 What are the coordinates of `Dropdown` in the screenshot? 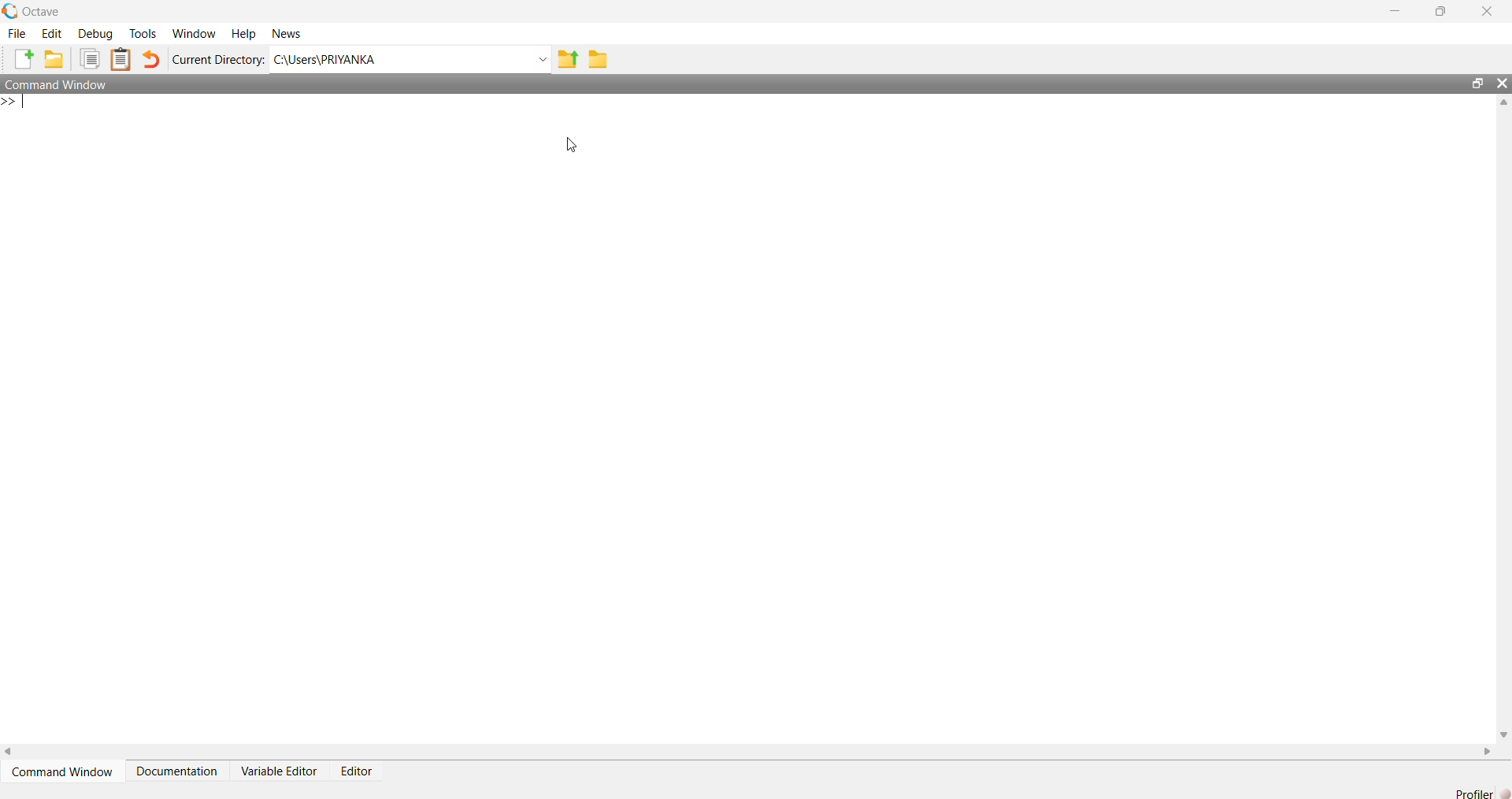 It's located at (542, 59).